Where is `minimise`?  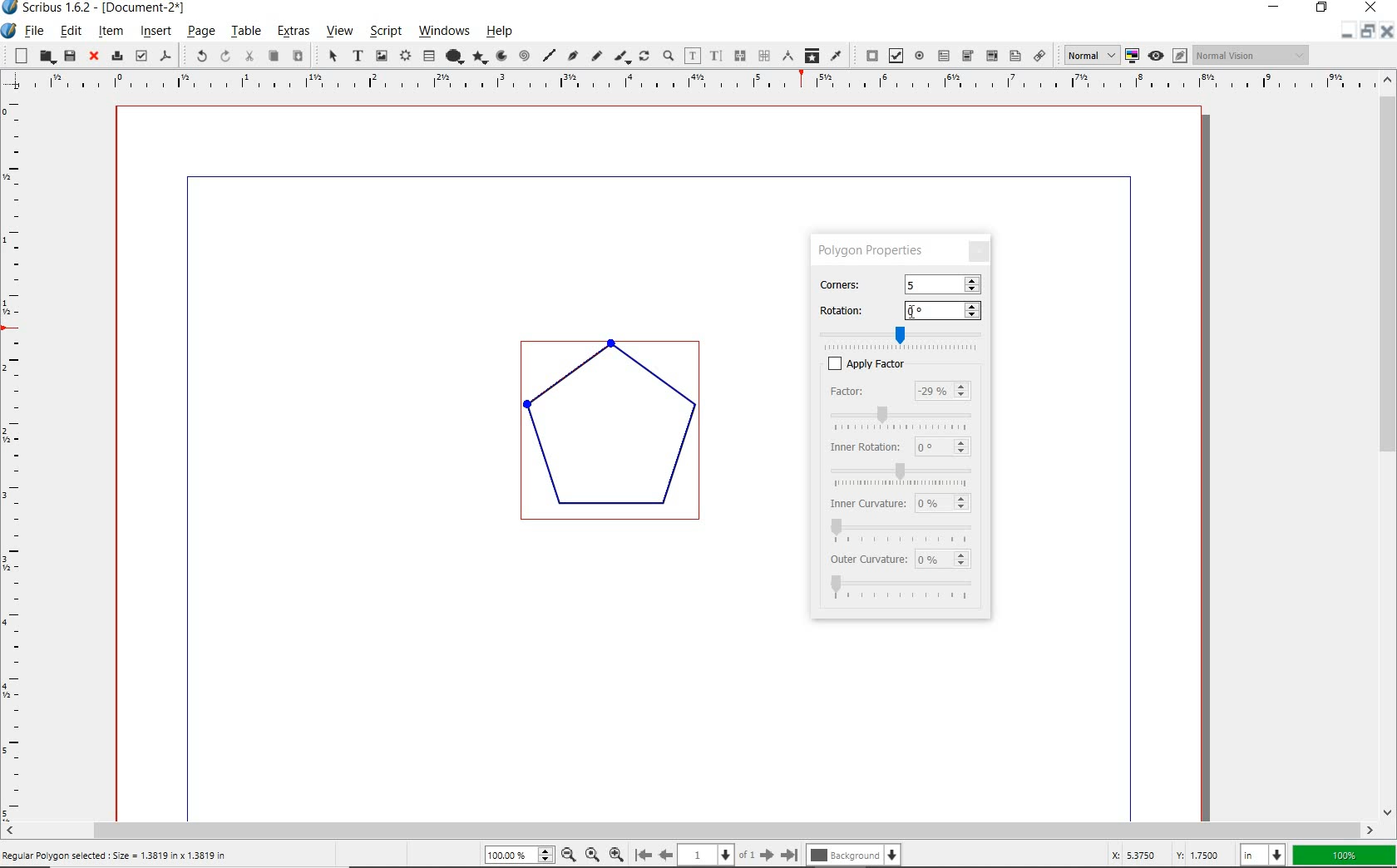 minimise is located at coordinates (1343, 32).